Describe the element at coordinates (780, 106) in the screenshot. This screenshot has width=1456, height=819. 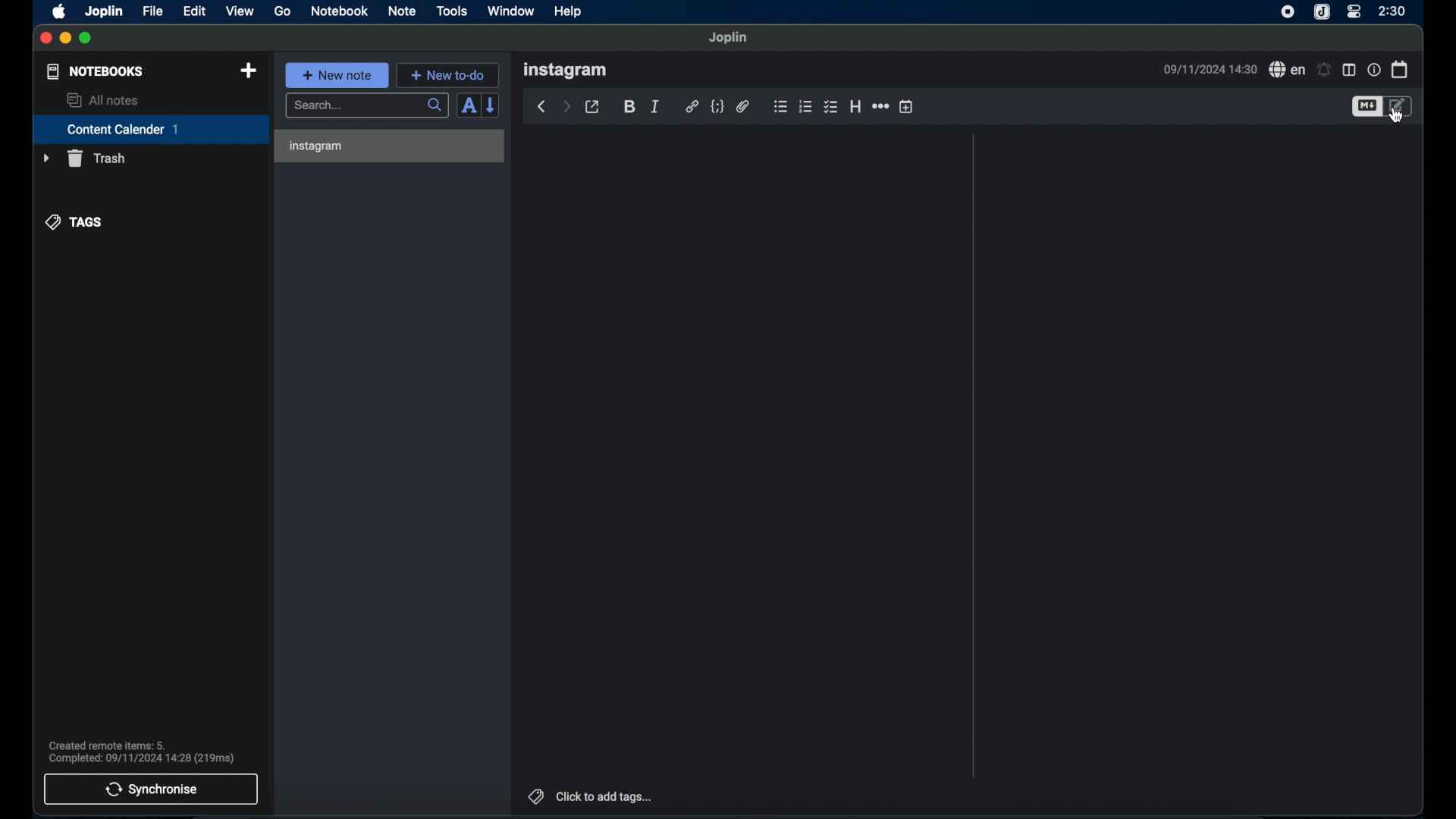
I see `bulleted list` at that location.